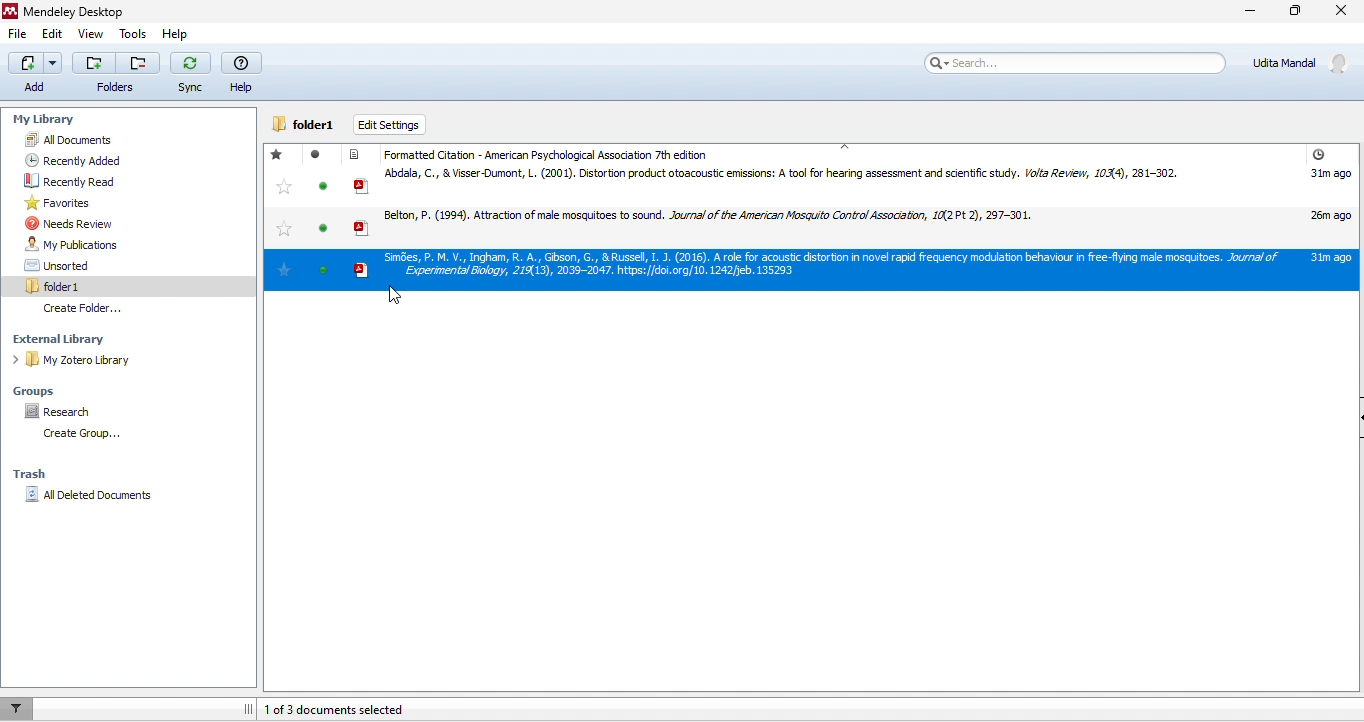  Describe the element at coordinates (814, 273) in the screenshot. I see `selected` at that location.